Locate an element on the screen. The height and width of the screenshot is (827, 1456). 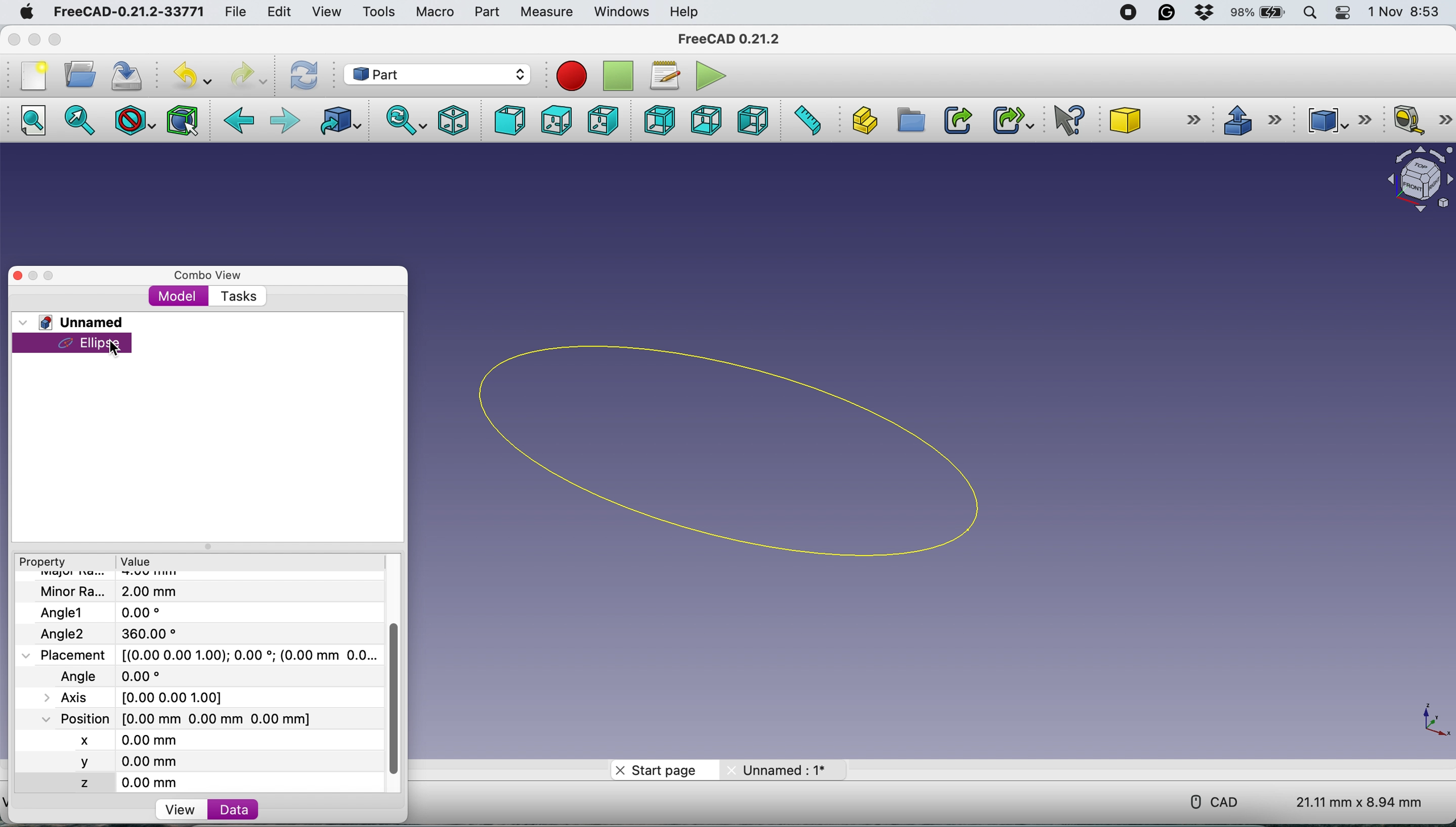
battery is located at coordinates (1257, 14).